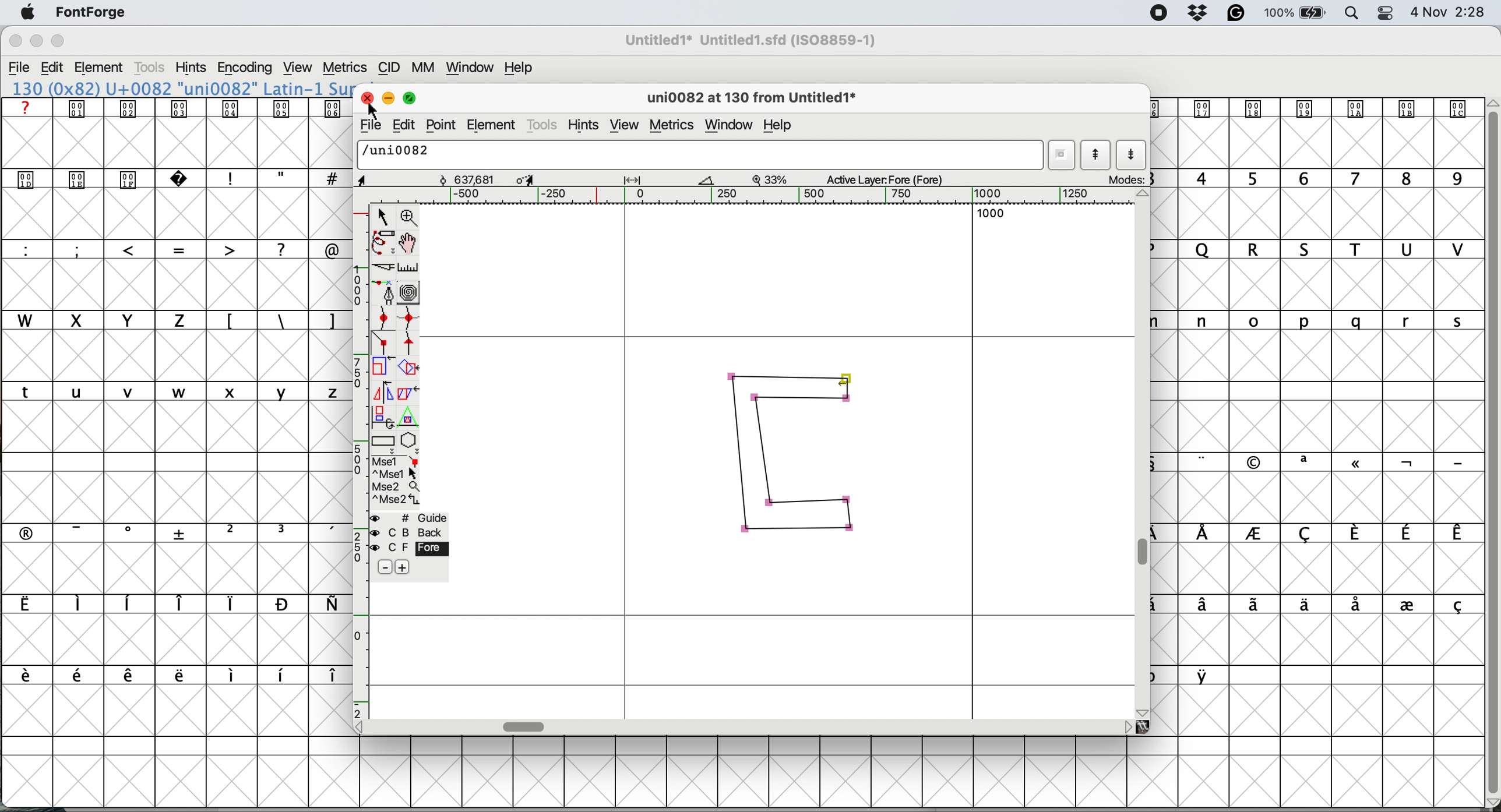 The height and width of the screenshot is (812, 1501). Describe the element at coordinates (179, 89) in the screenshot. I see `font name` at that location.